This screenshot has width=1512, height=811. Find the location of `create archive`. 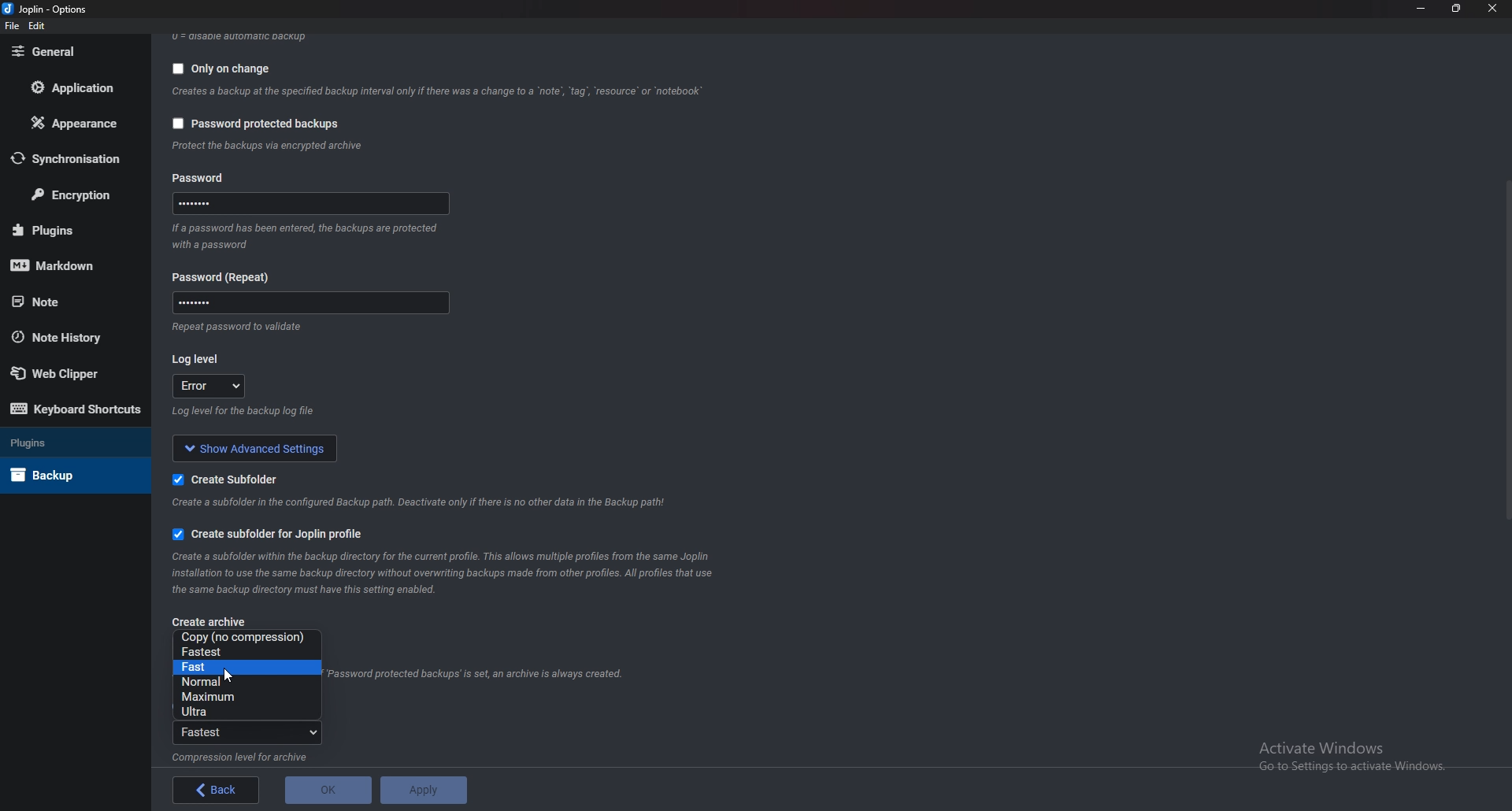

create archive is located at coordinates (210, 625).